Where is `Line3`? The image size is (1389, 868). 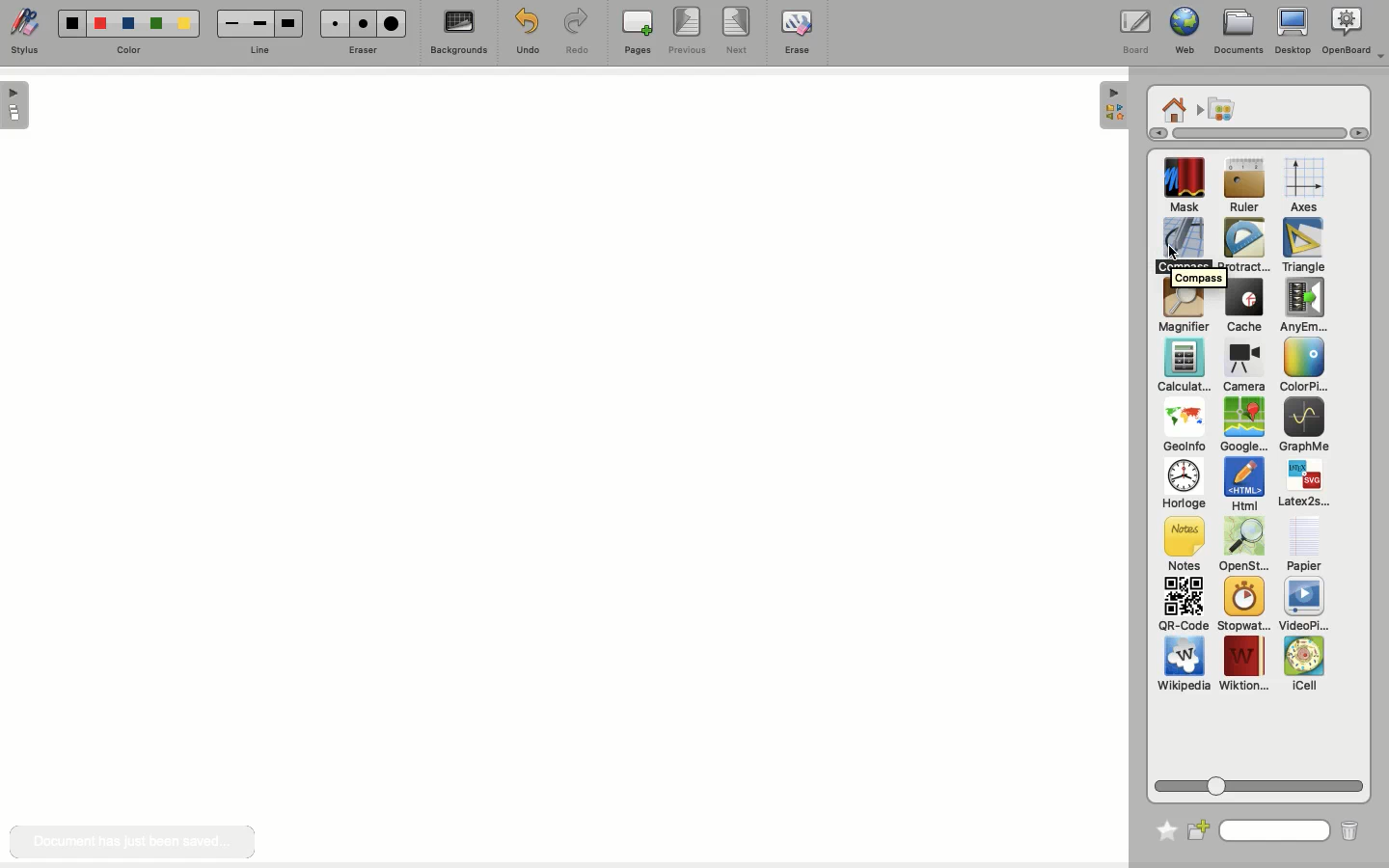 Line3 is located at coordinates (286, 23).